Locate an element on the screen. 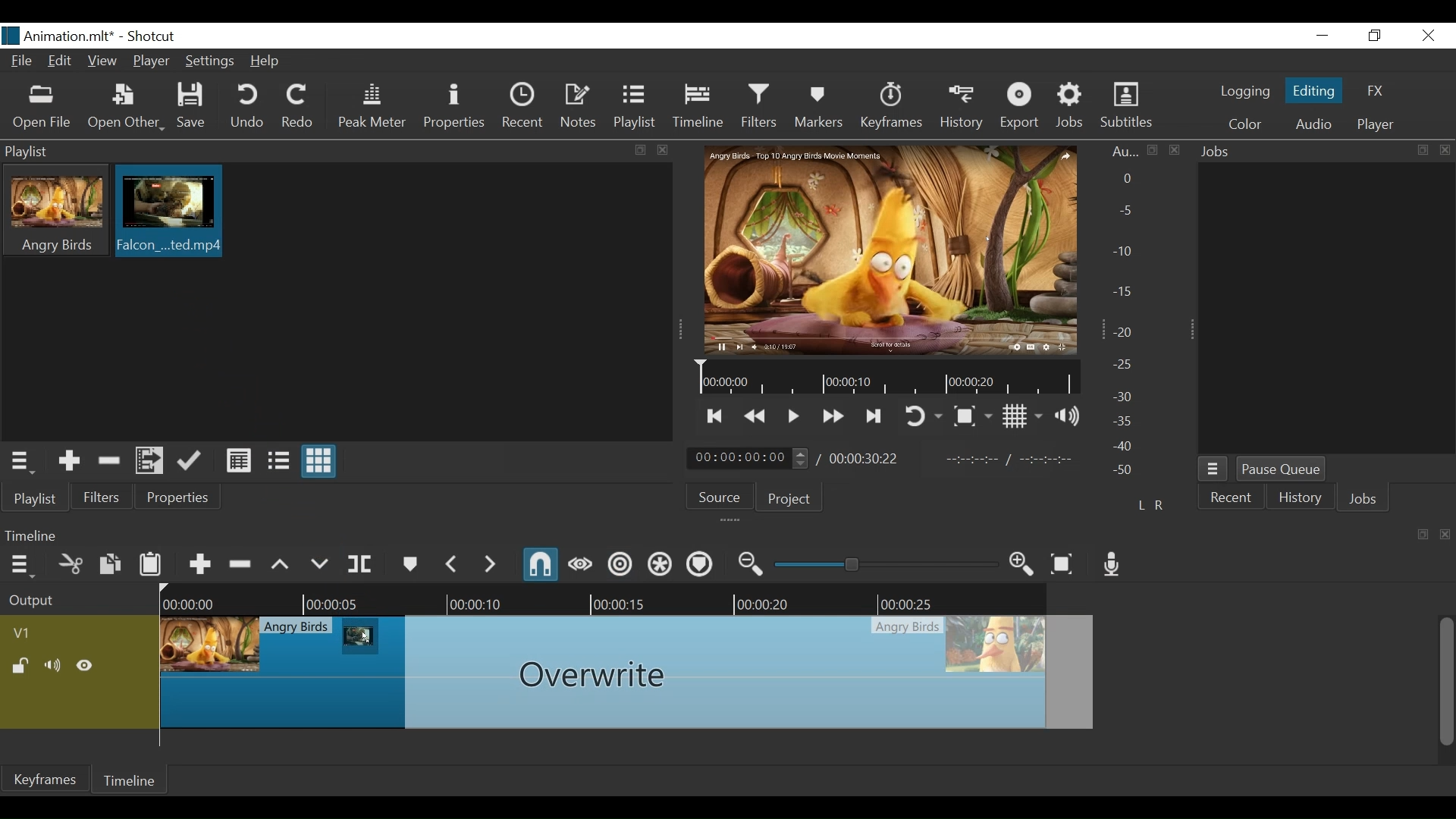  Shotcut is located at coordinates (156, 37).